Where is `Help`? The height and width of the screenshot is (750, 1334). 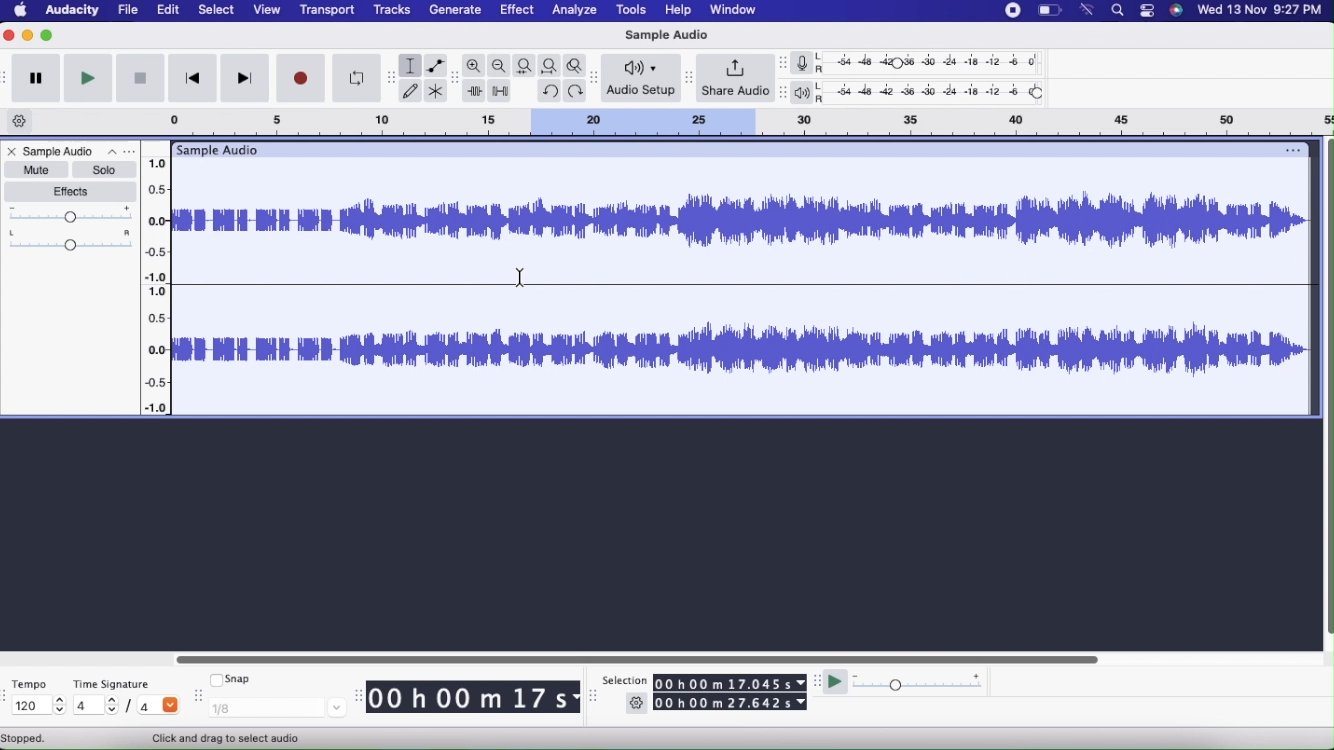
Help is located at coordinates (676, 10).